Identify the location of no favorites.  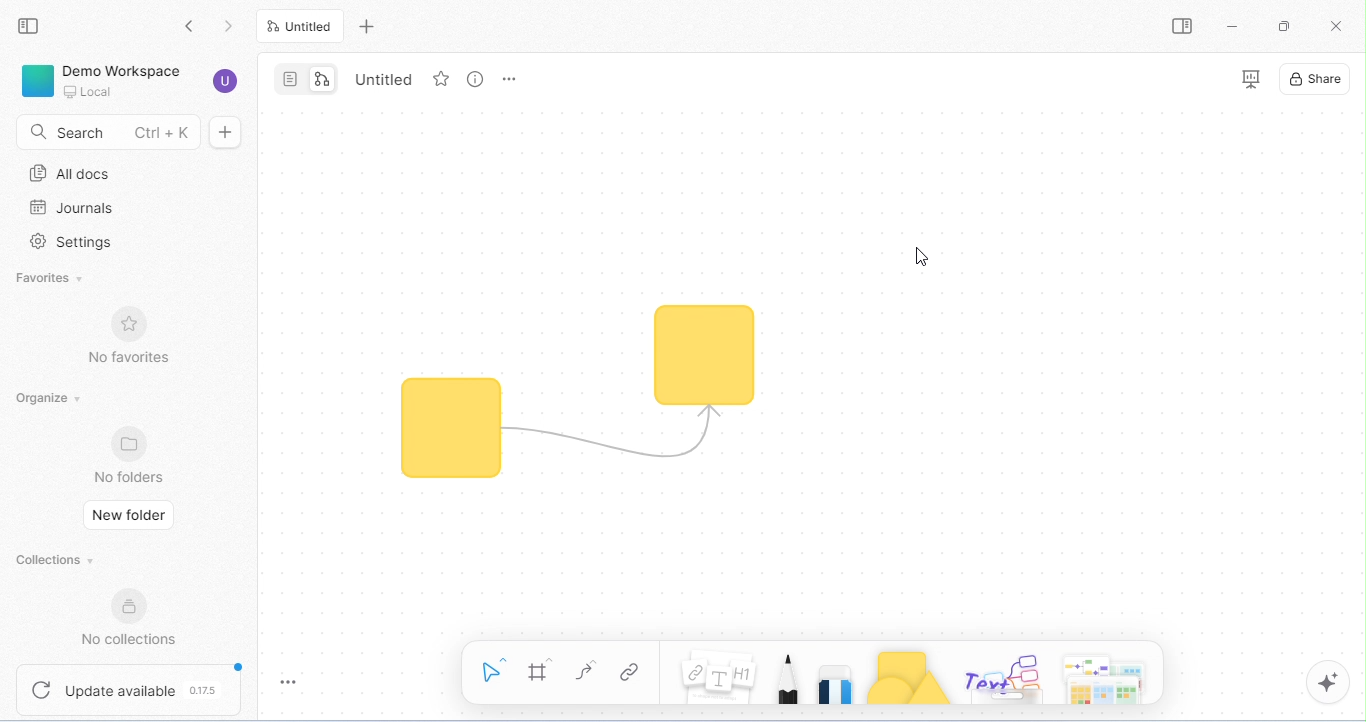
(128, 338).